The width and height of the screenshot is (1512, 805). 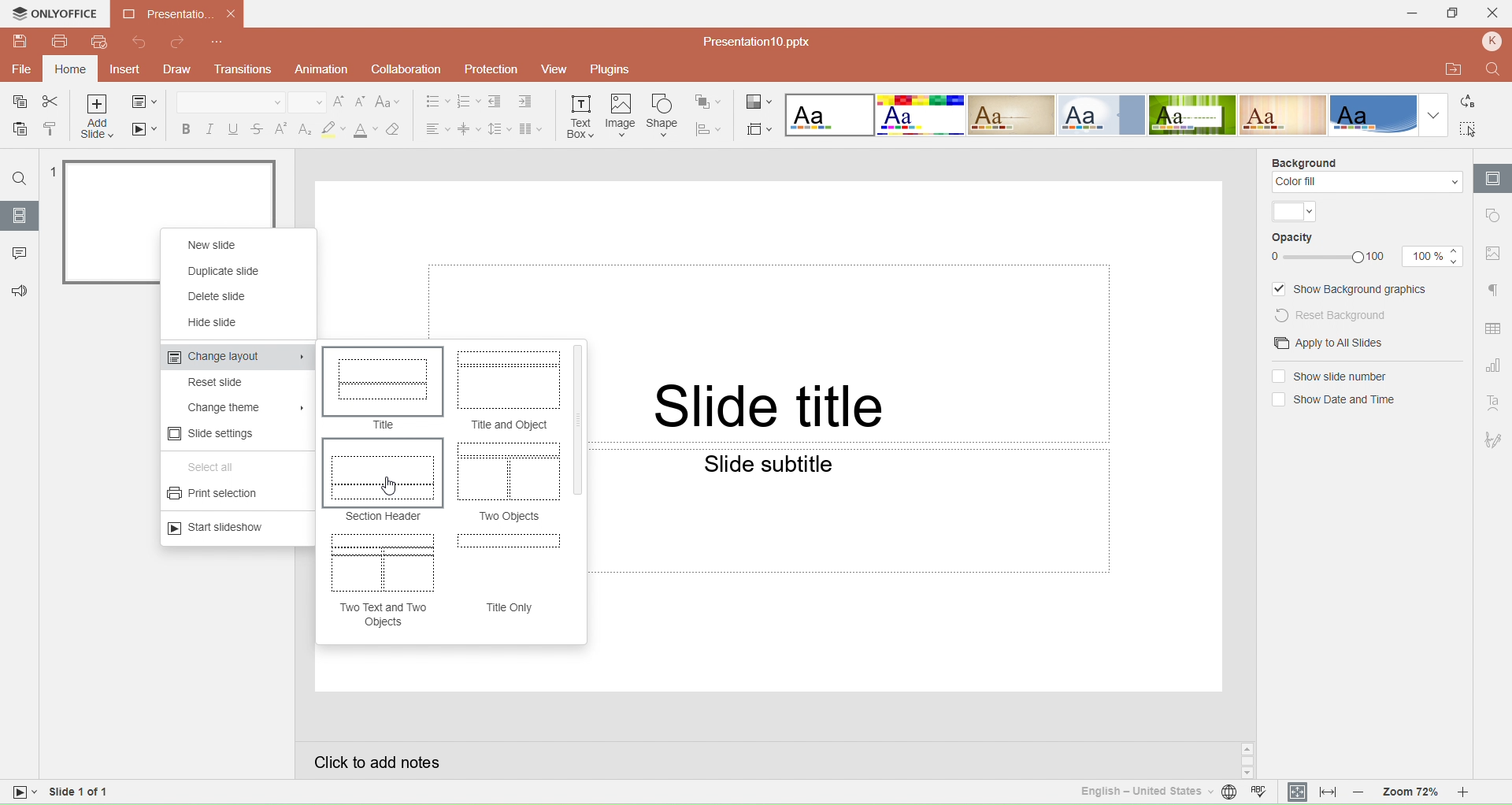 I want to click on Basic, so click(x=921, y=115).